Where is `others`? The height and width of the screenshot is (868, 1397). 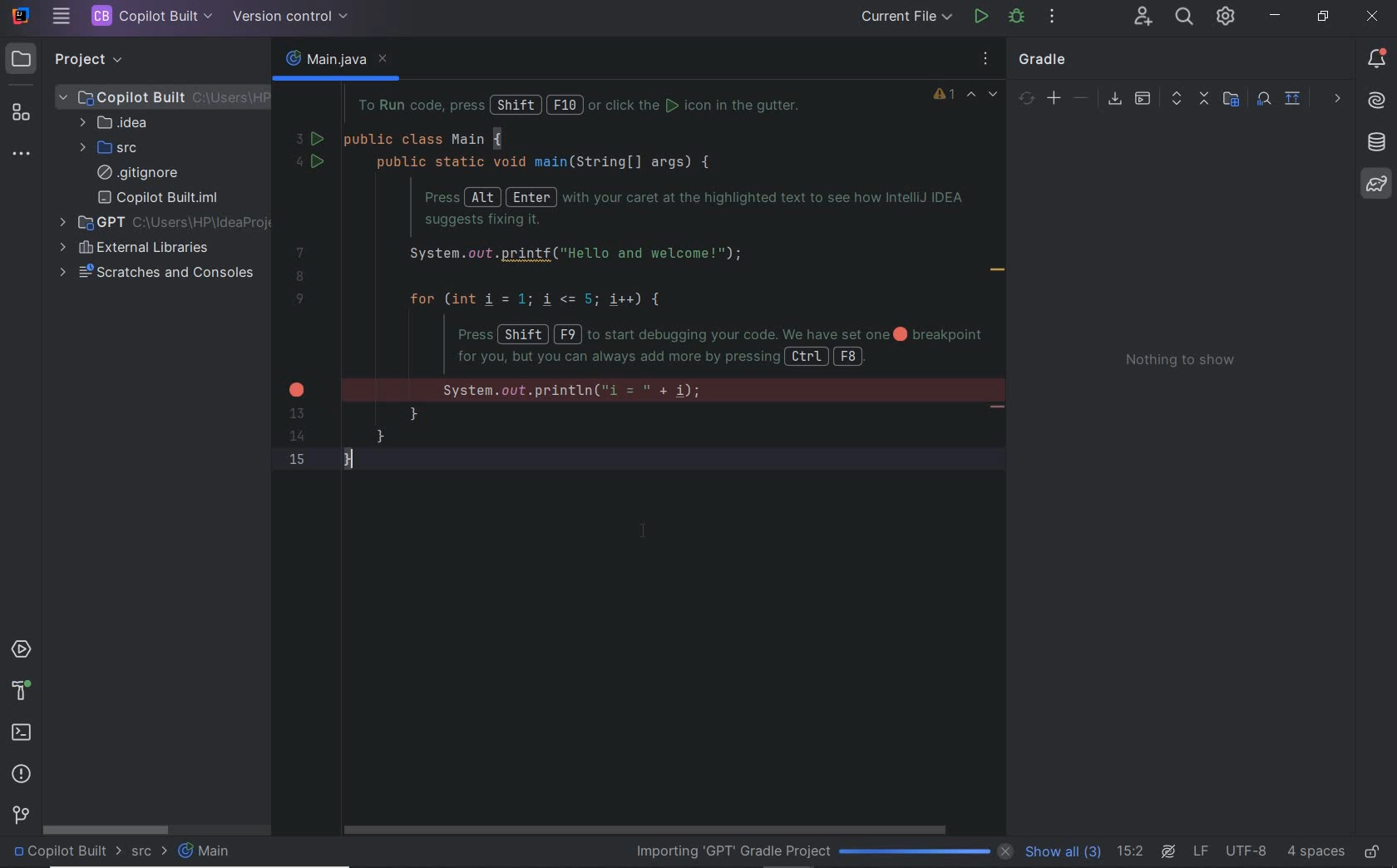 others is located at coordinates (1336, 97).